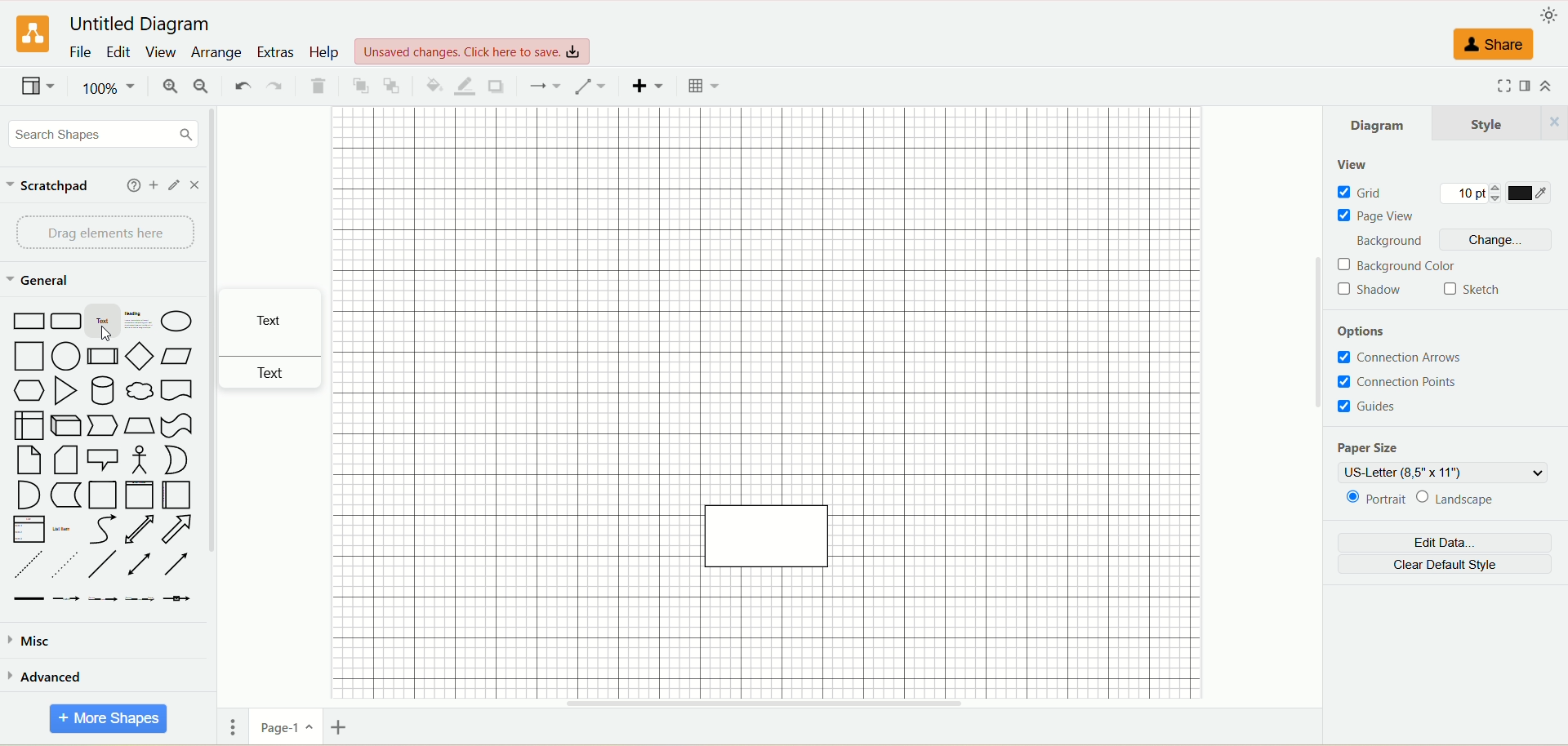  I want to click on paper size, so click(1374, 446).